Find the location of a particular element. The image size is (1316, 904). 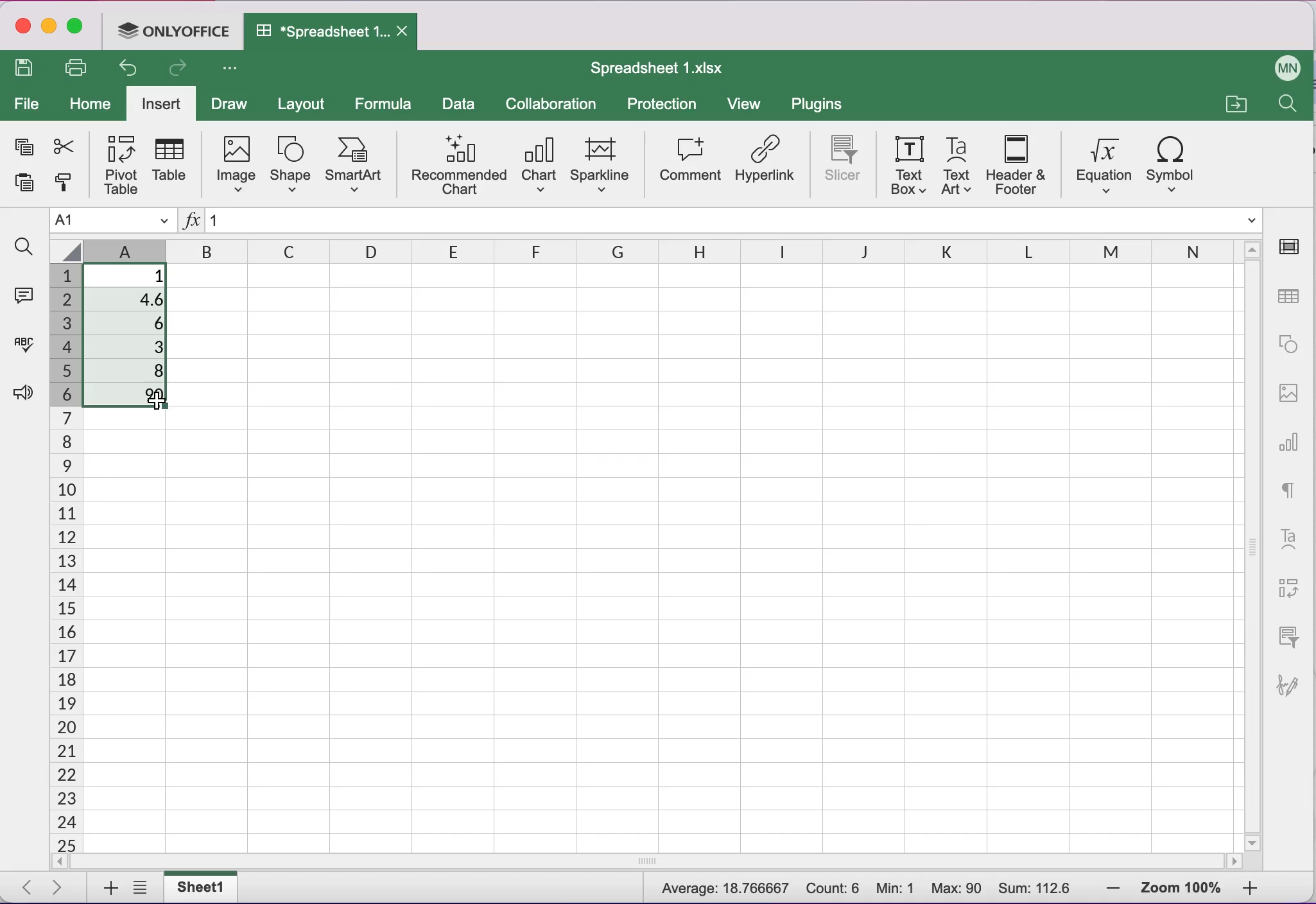

smart art is located at coordinates (356, 164).